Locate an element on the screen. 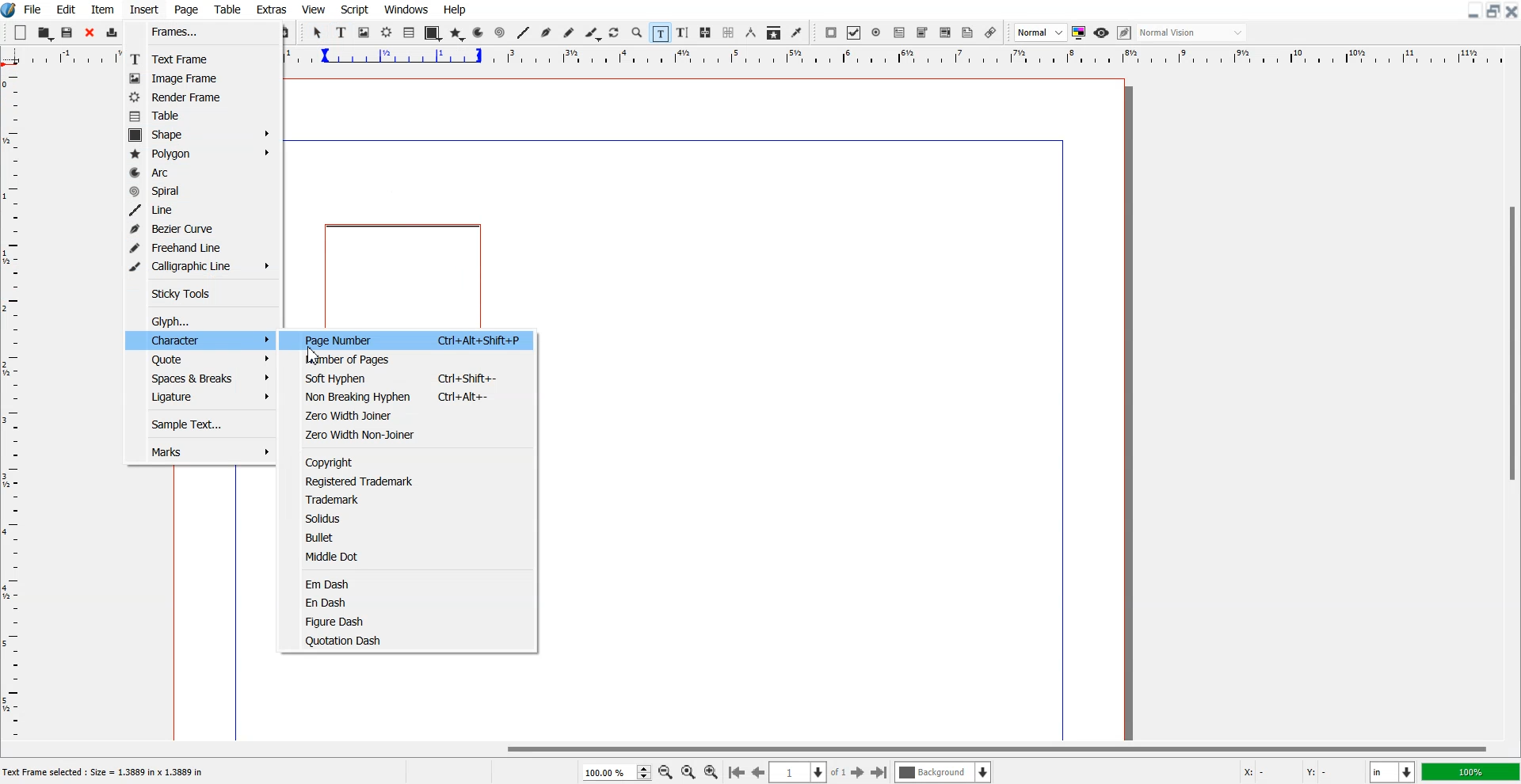  Ligature is located at coordinates (199, 398).